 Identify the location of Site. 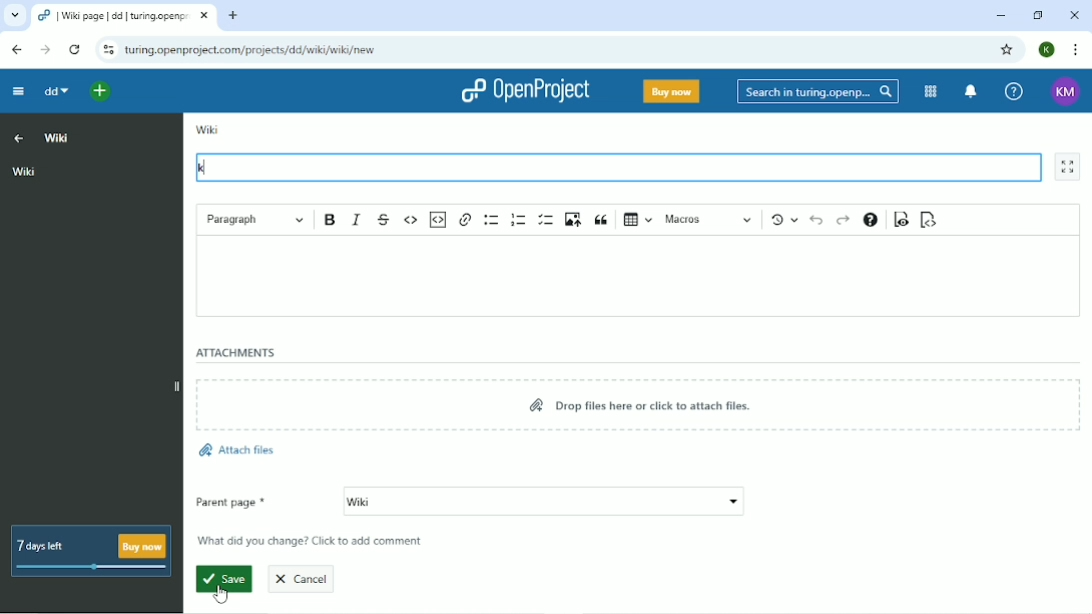
(253, 51).